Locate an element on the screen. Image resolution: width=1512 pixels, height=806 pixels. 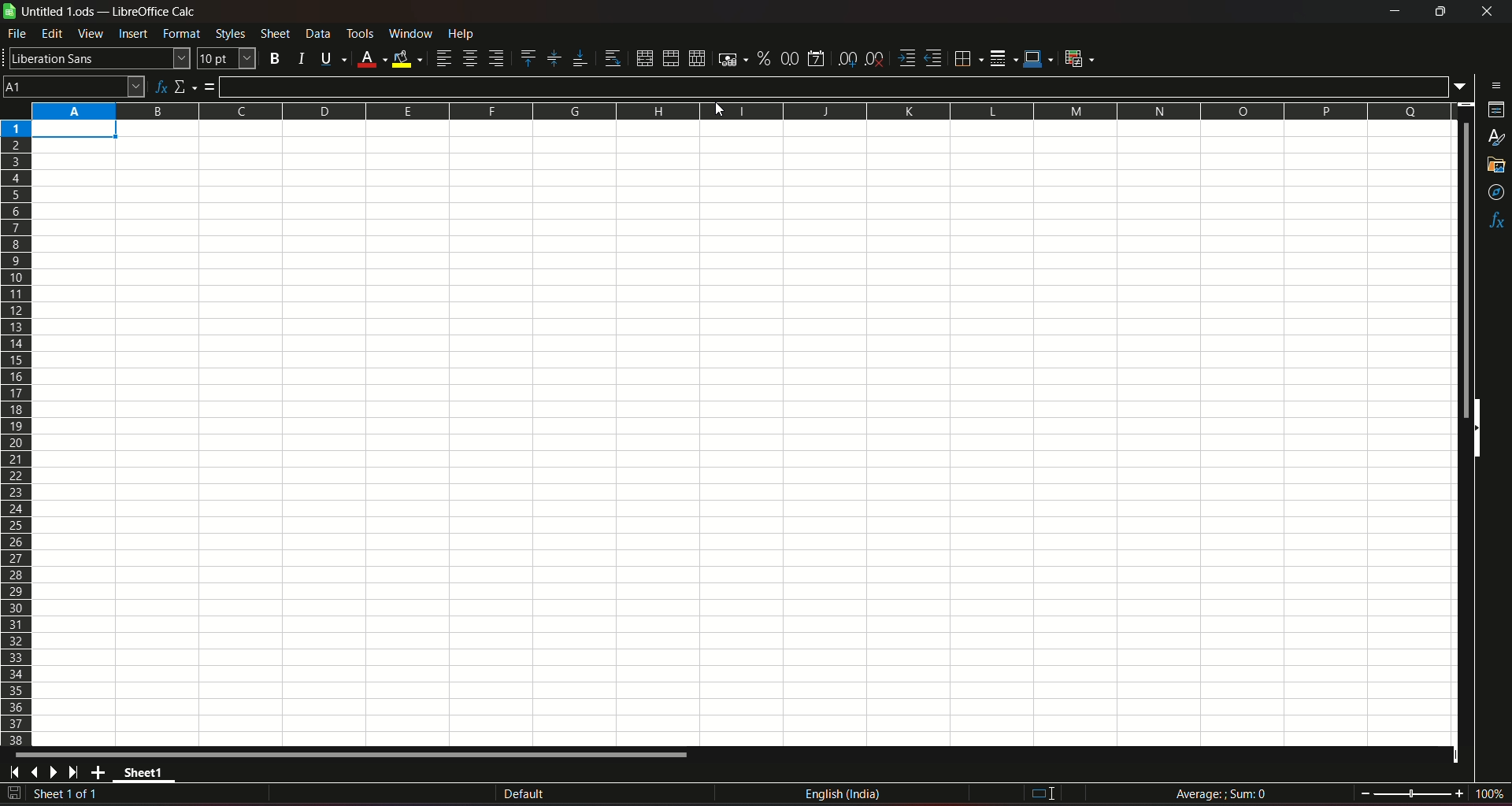
window is located at coordinates (410, 34).